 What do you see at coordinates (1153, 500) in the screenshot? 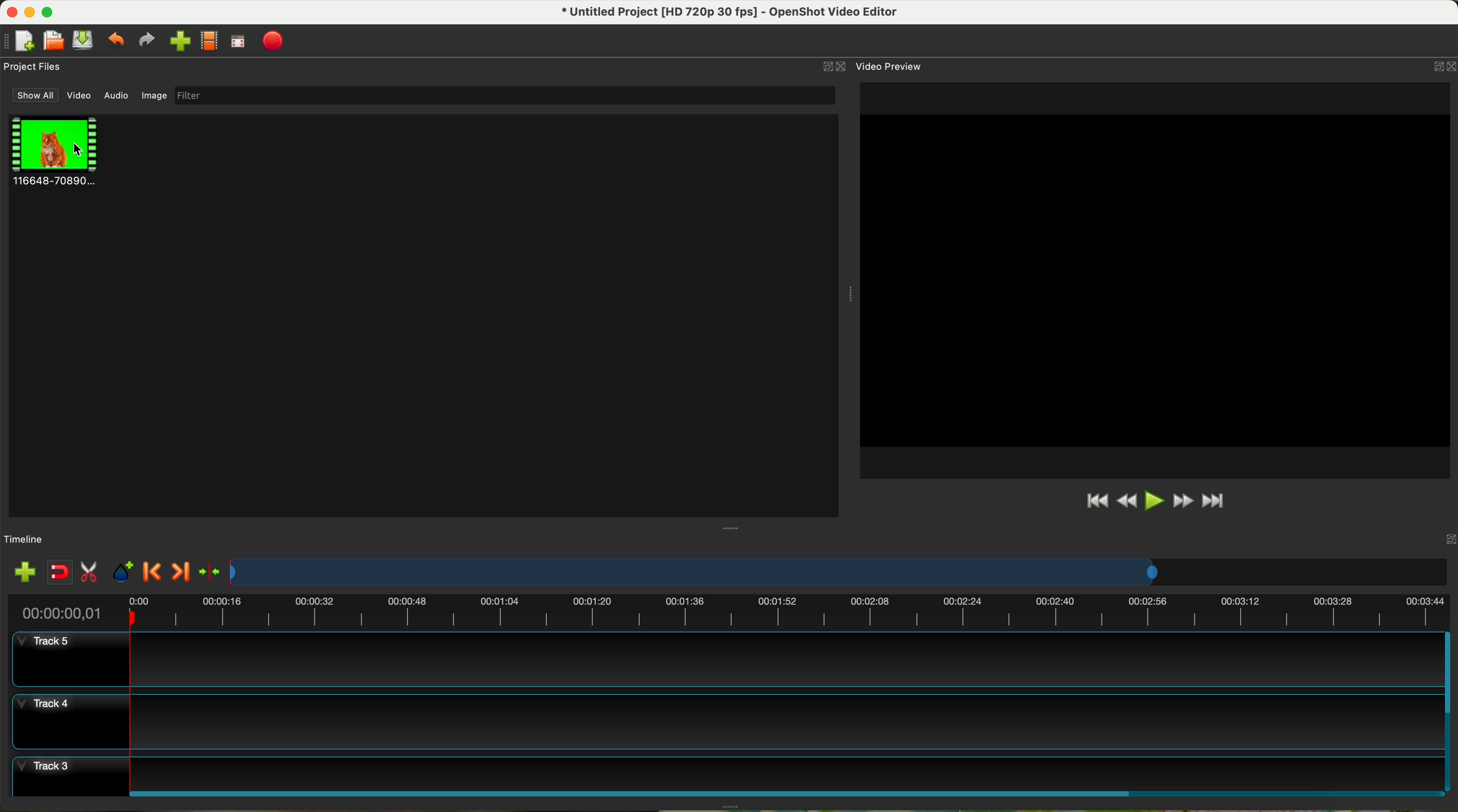
I see `play` at bounding box center [1153, 500].